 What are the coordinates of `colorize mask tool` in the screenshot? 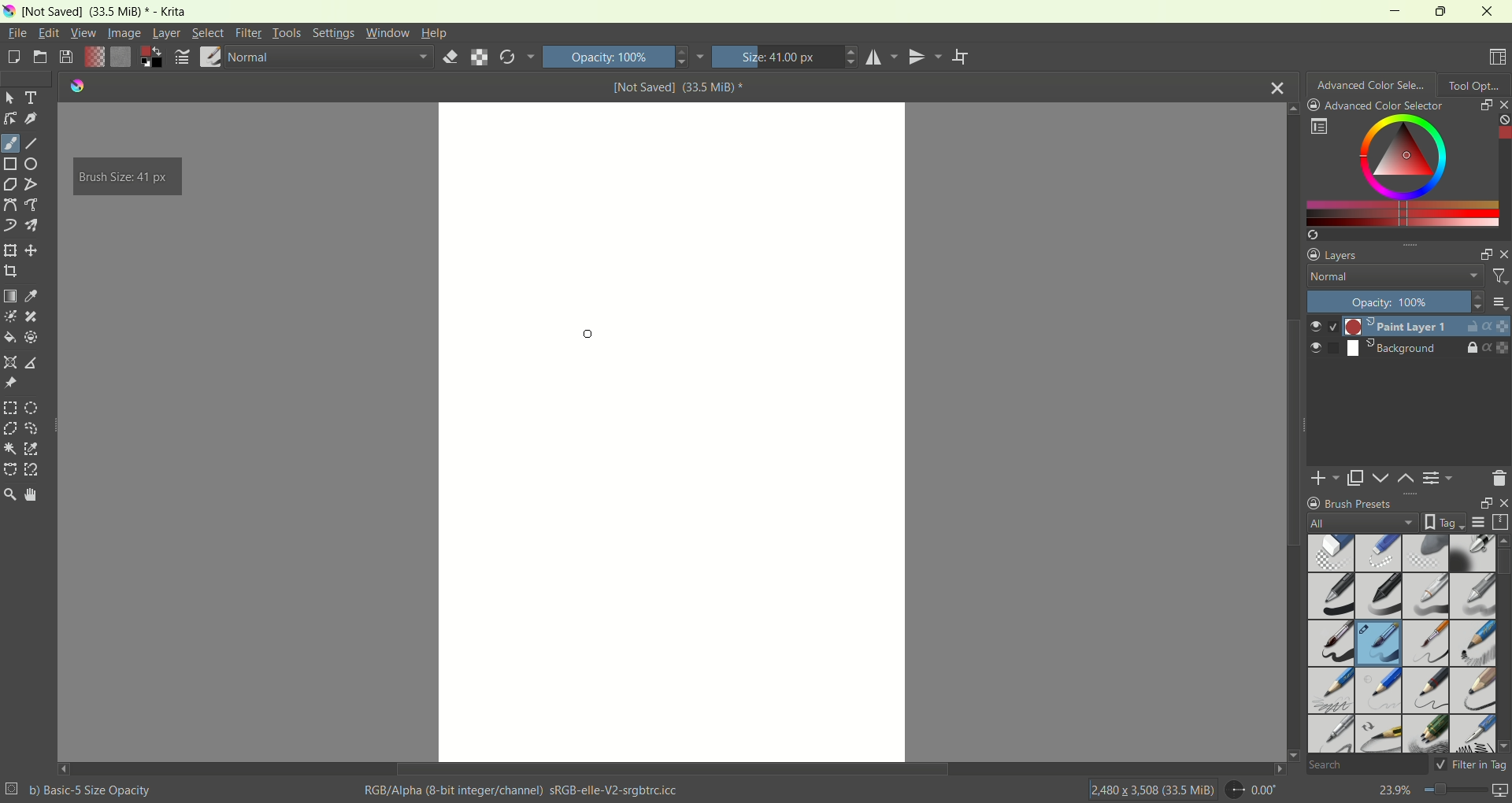 It's located at (11, 316).